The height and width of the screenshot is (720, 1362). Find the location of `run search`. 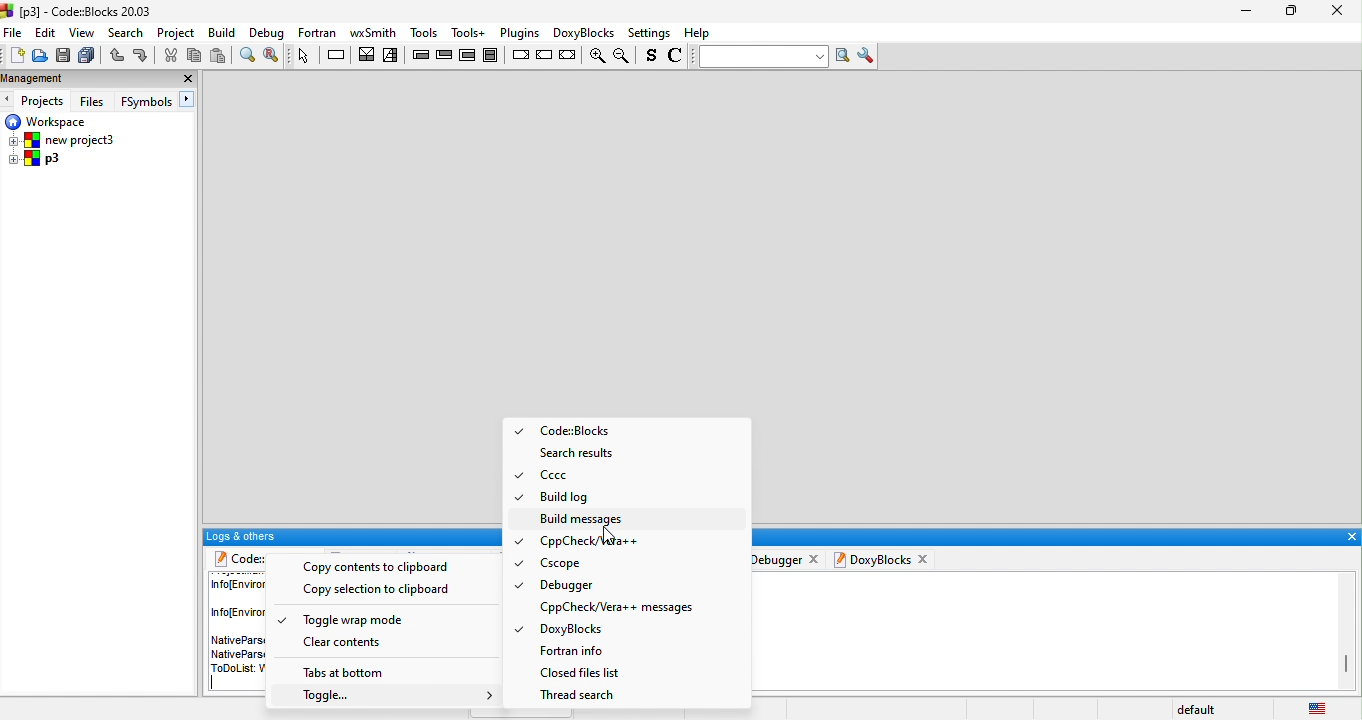

run search is located at coordinates (844, 56).